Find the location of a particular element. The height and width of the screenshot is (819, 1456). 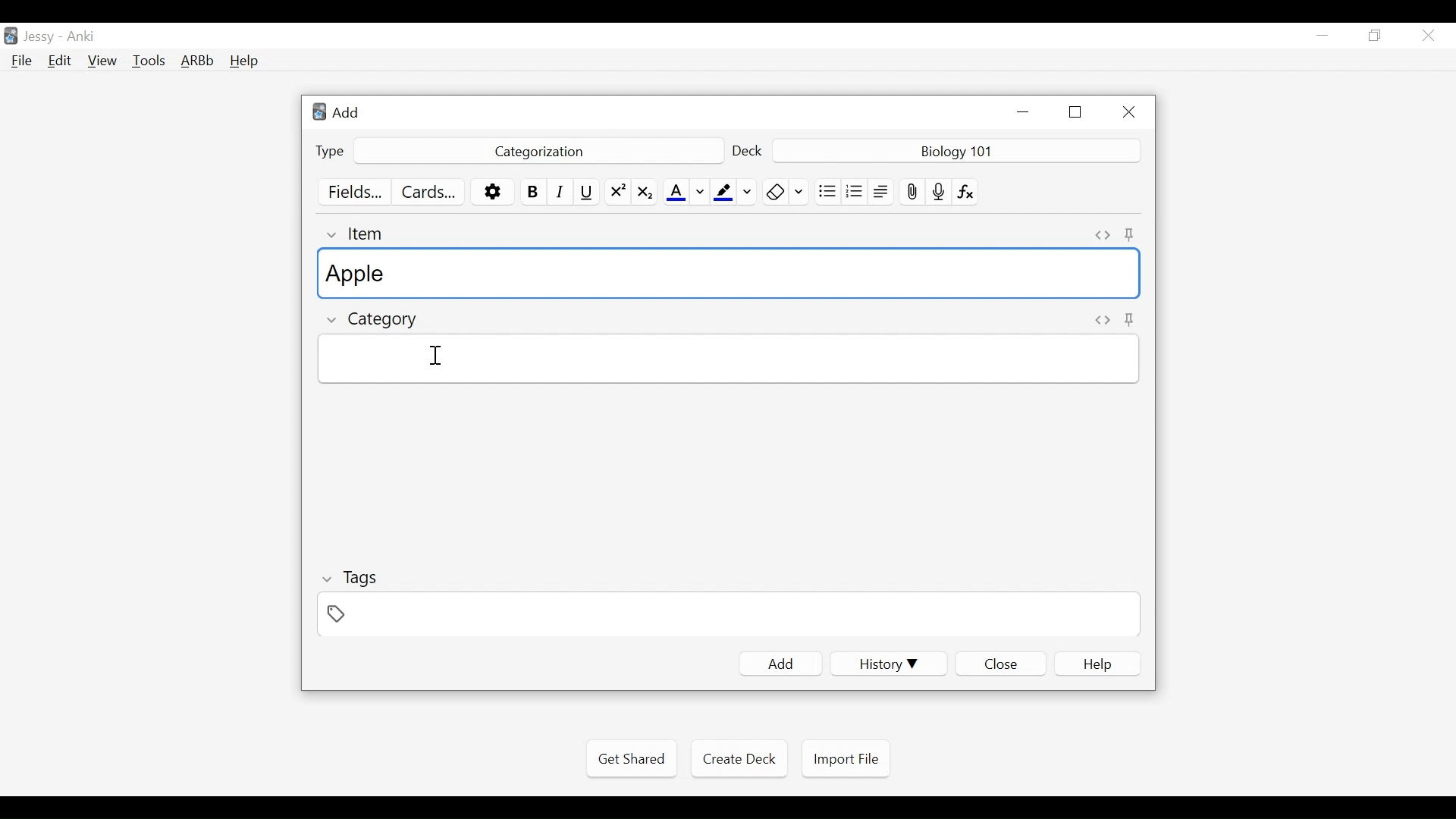

Italics is located at coordinates (563, 191).